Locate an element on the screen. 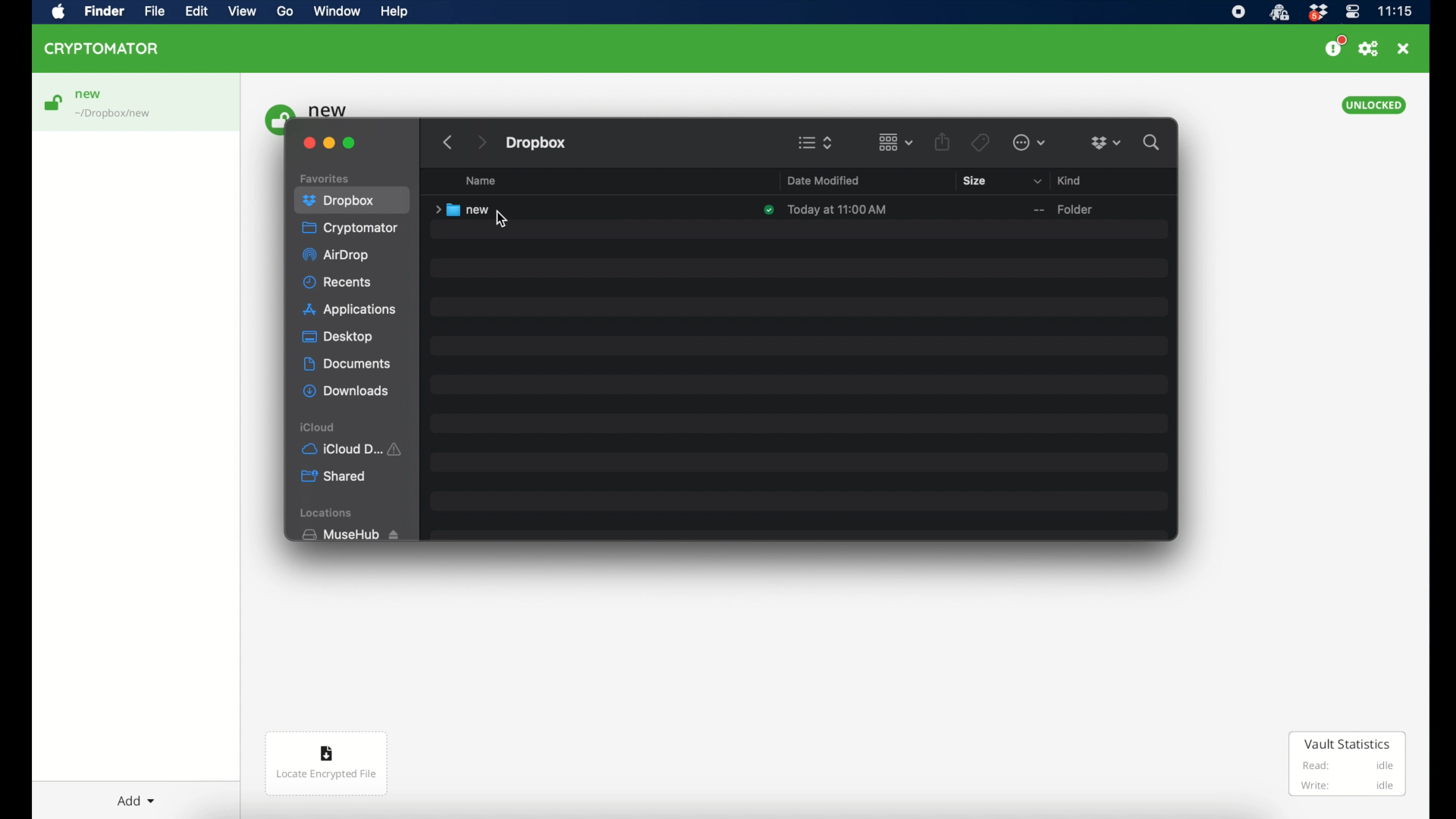 This screenshot has width=1456, height=819. previous is located at coordinates (445, 138).